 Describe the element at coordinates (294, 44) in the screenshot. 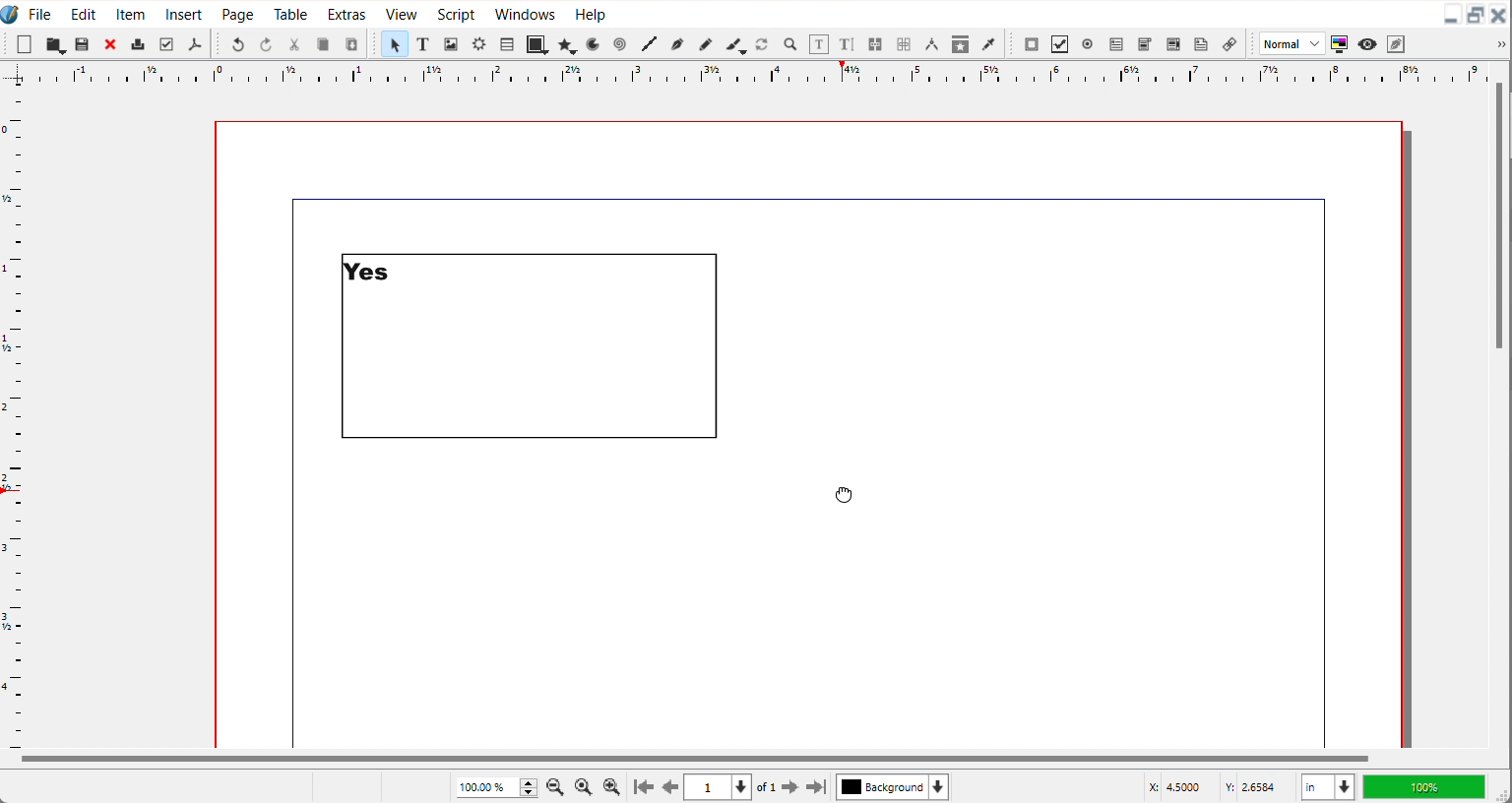

I see `Cut` at that location.